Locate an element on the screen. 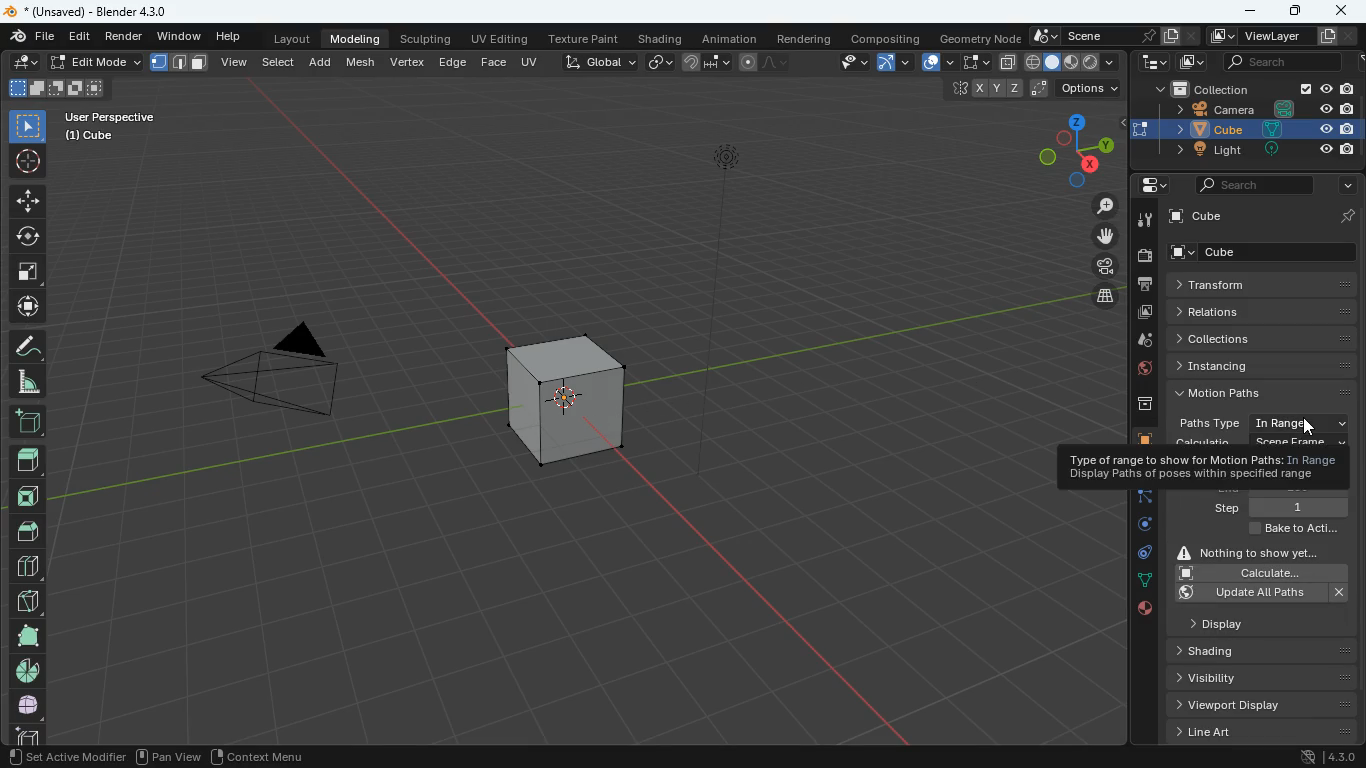 This screenshot has height=768, width=1366. mesh is located at coordinates (364, 61).